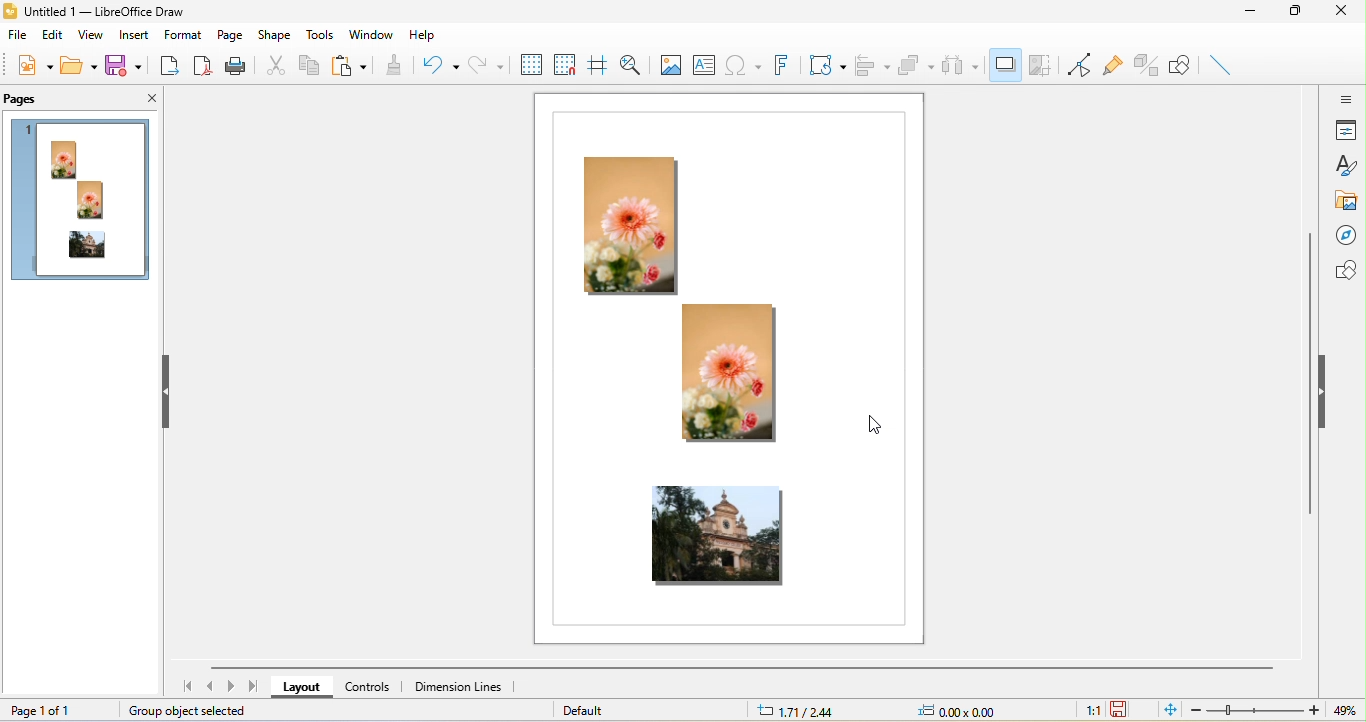  Describe the element at coordinates (395, 65) in the screenshot. I see `clone formatting` at that location.